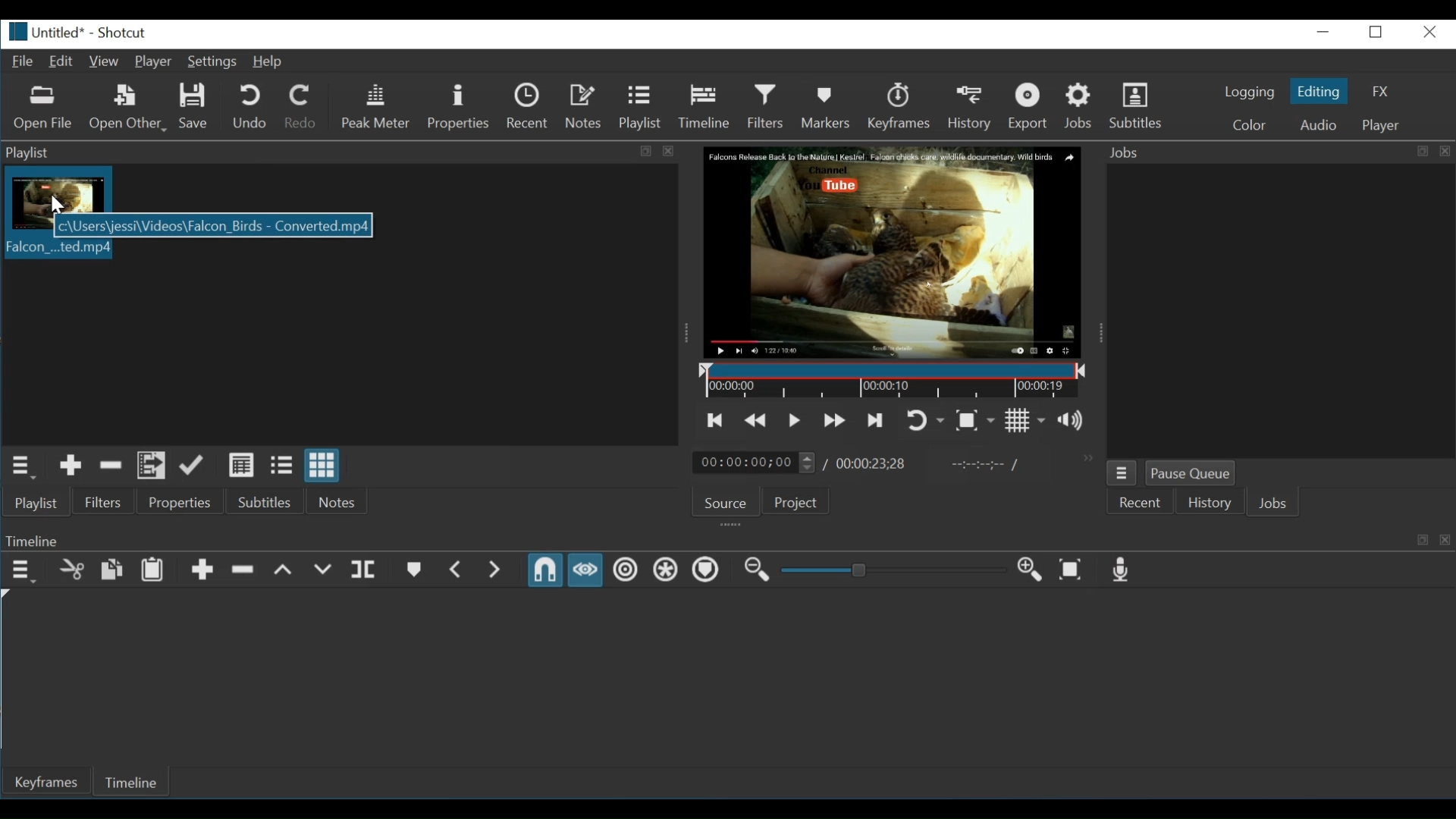 The width and height of the screenshot is (1456, 819). I want to click on View as icon, so click(324, 465).